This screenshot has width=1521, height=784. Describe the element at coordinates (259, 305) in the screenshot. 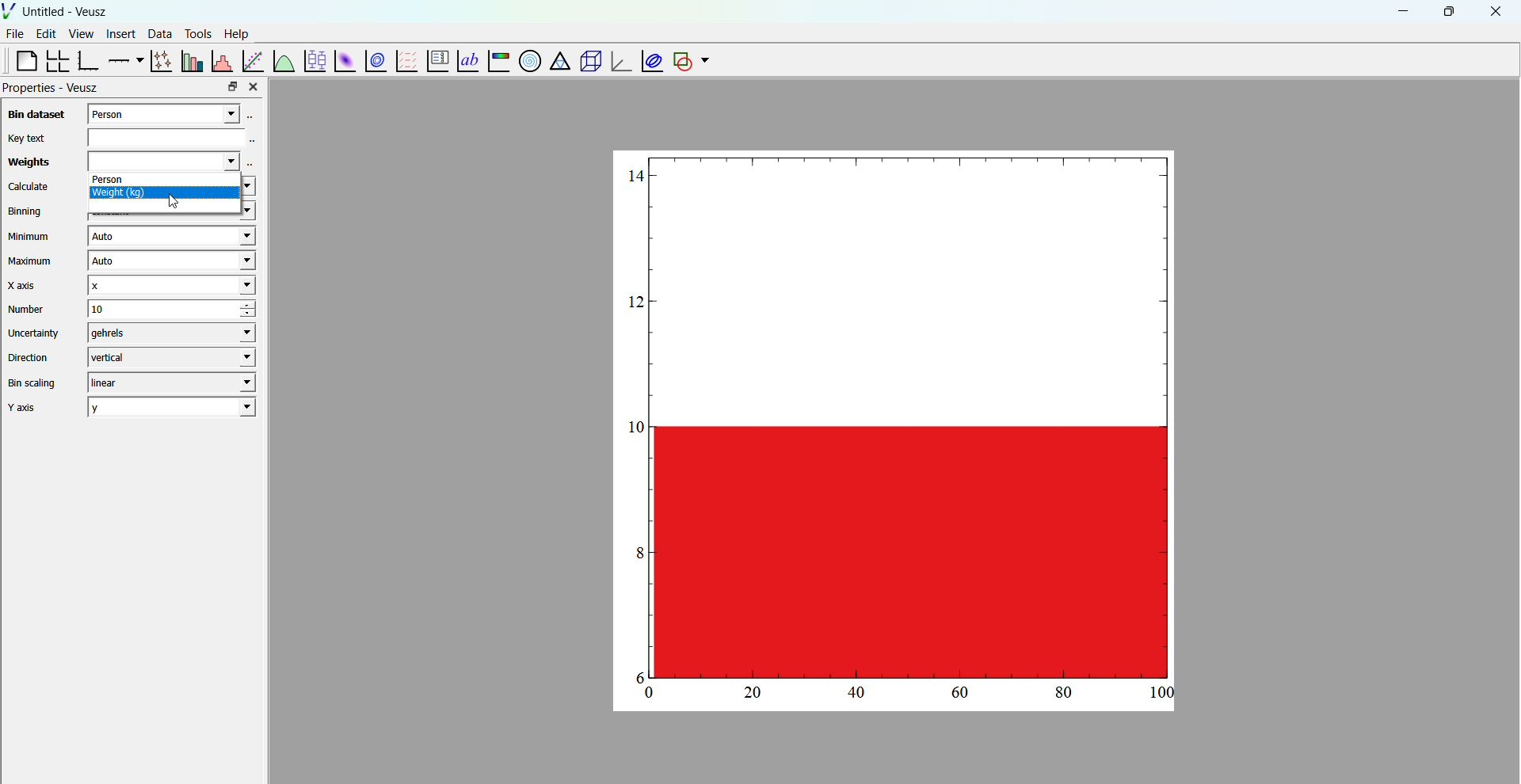

I see `increase number` at that location.